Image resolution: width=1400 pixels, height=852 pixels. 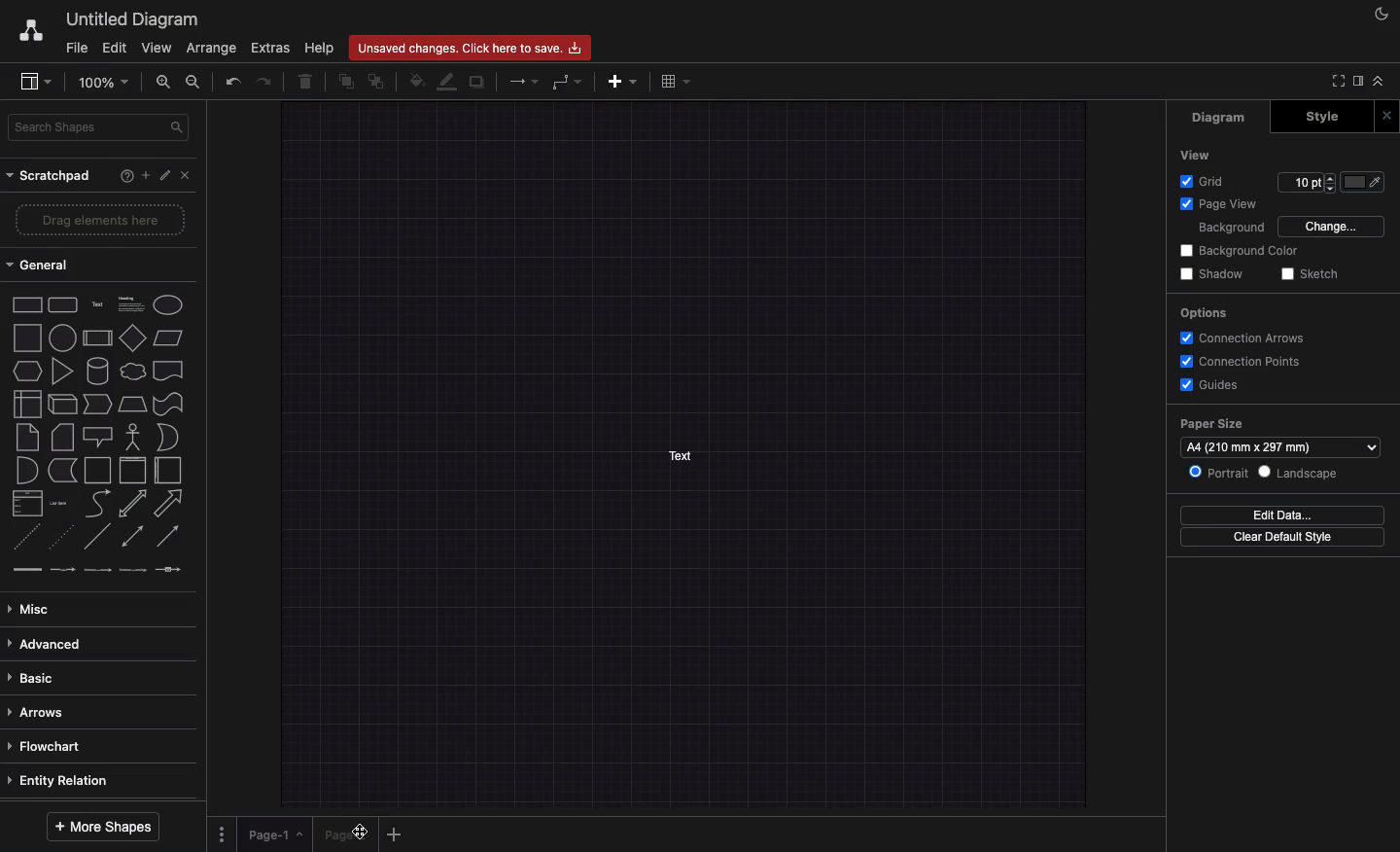 What do you see at coordinates (567, 83) in the screenshot?
I see `Waypoints` at bounding box center [567, 83].